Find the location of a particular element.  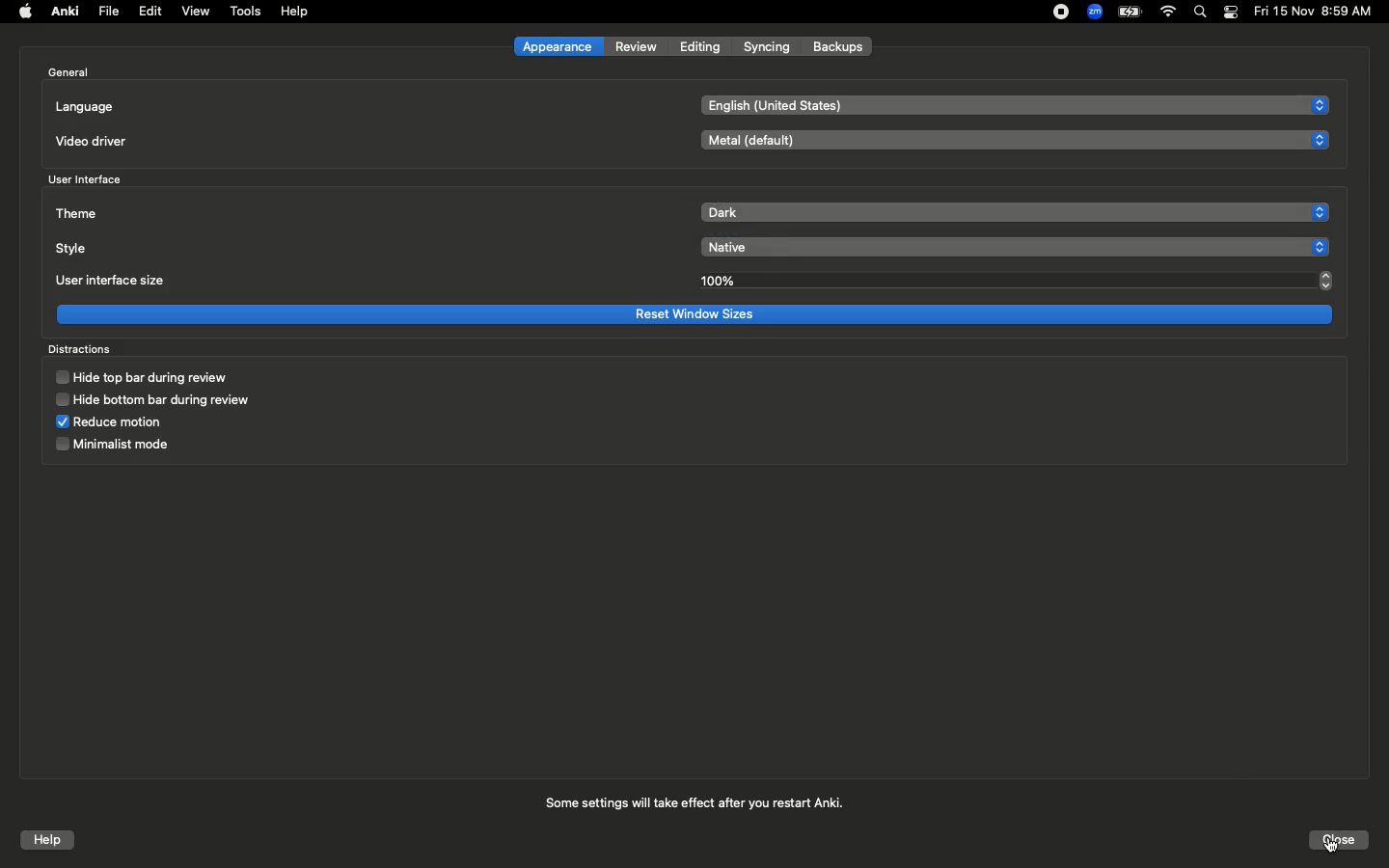

Syncing is located at coordinates (769, 46).